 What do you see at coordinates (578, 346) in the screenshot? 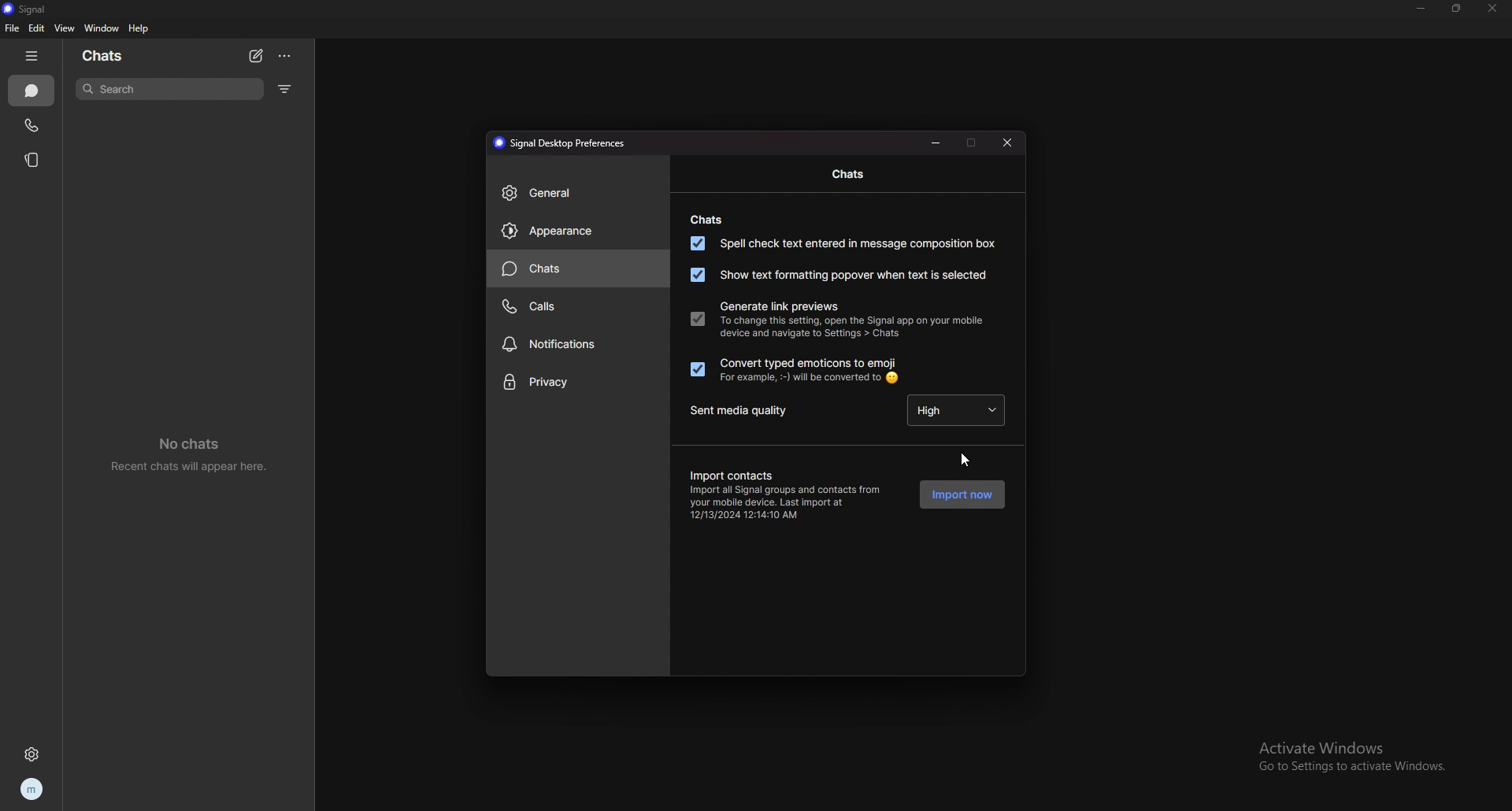
I see `notifications` at bounding box center [578, 346].